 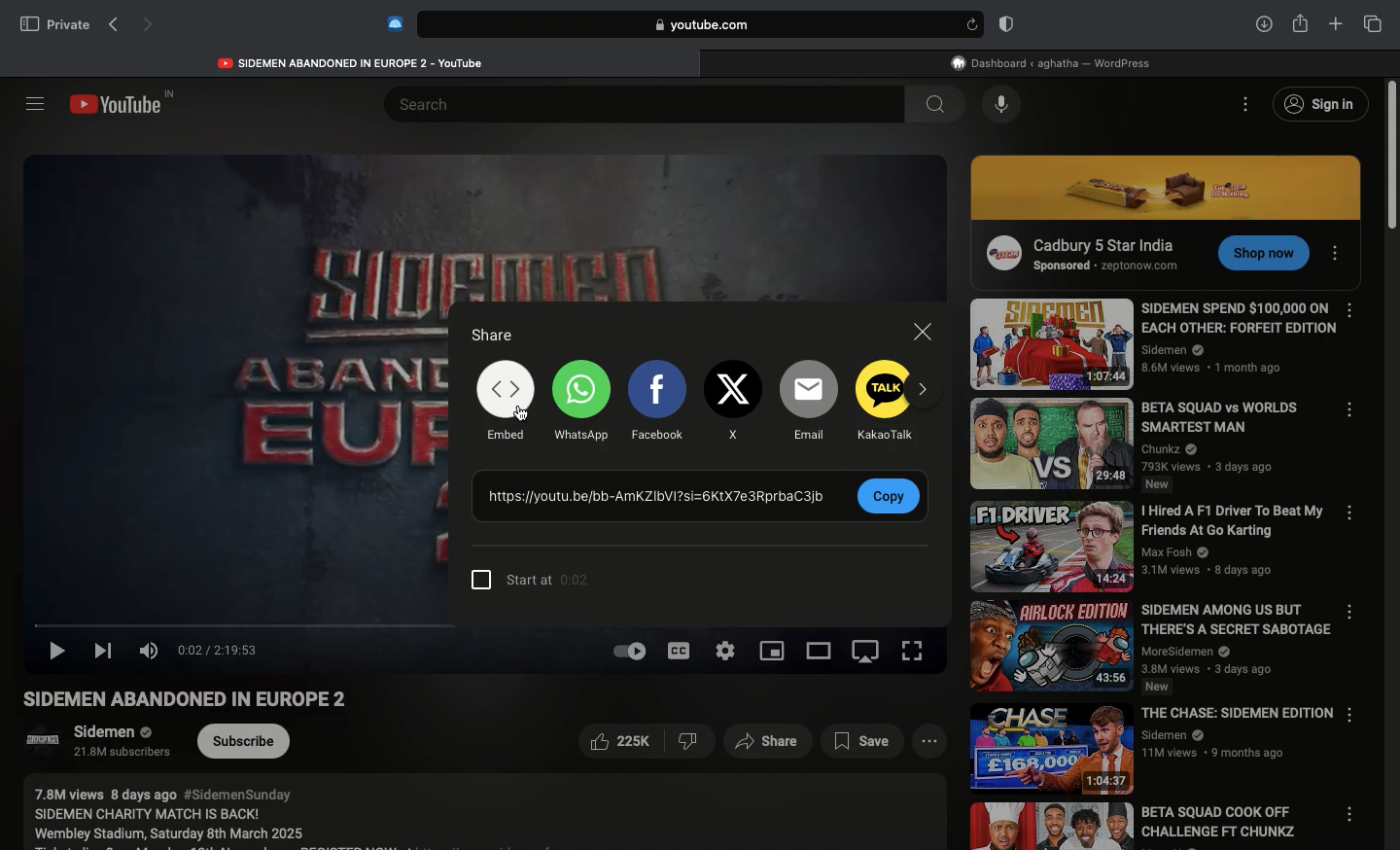 What do you see at coordinates (87, 744) in the screenshot?
I see `Channel` at bounding box center [87, 744].